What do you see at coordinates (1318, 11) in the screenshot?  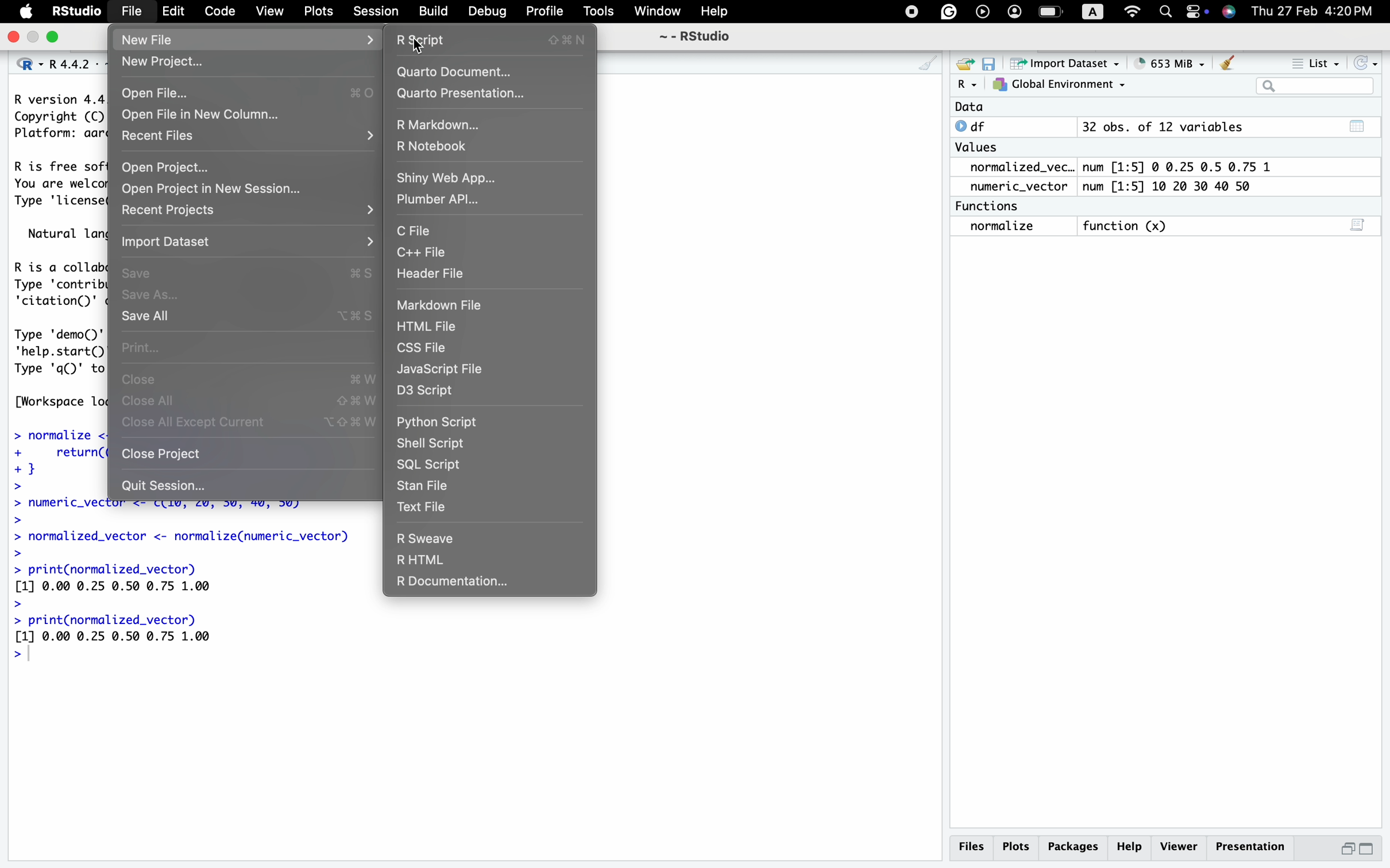 I see `Thu 27 Feb 4:20 PM` at bounding box center [1318, 11].